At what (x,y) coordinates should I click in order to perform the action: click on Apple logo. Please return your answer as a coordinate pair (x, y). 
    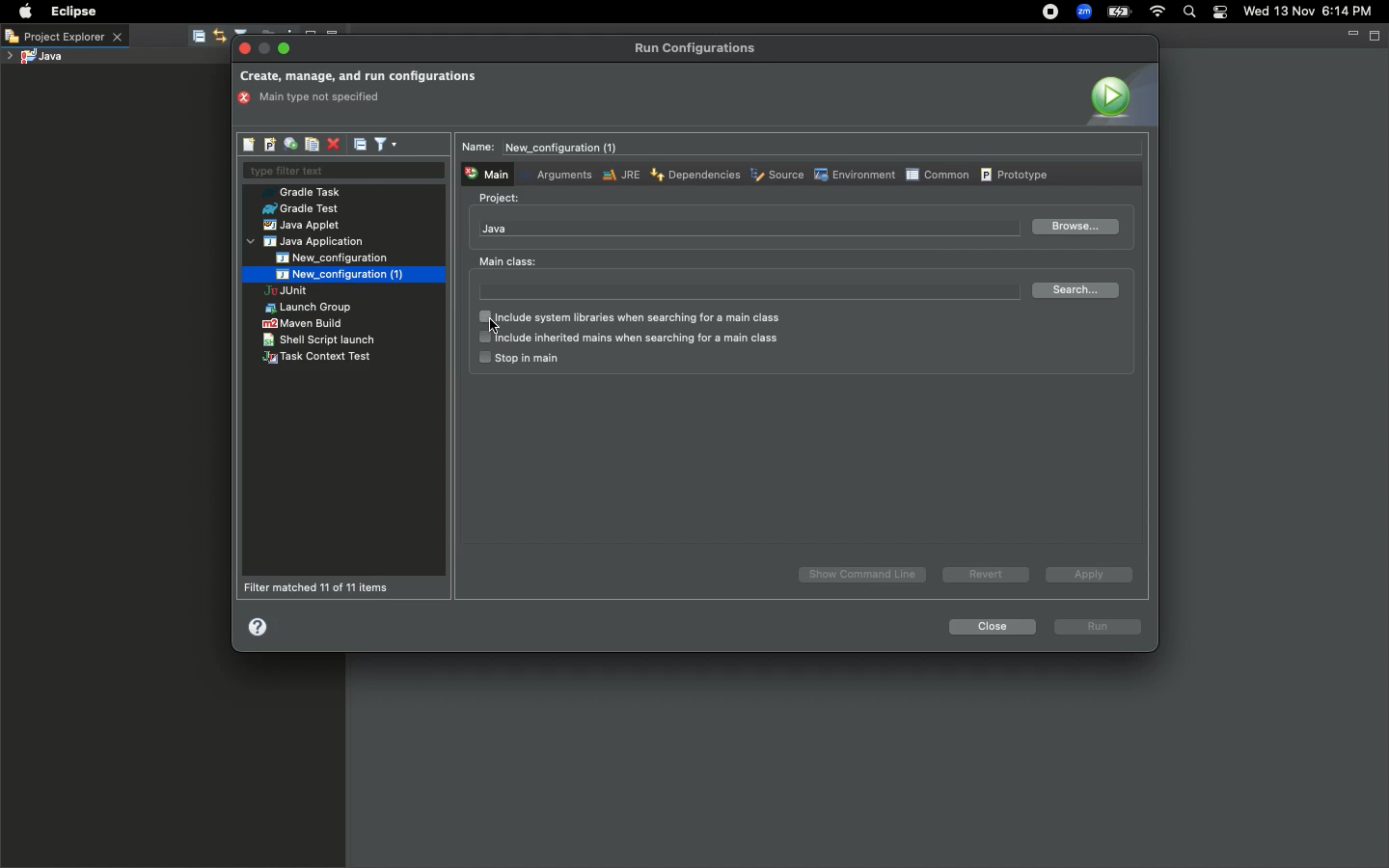
    Looking at the image, I should click on (23, 12).